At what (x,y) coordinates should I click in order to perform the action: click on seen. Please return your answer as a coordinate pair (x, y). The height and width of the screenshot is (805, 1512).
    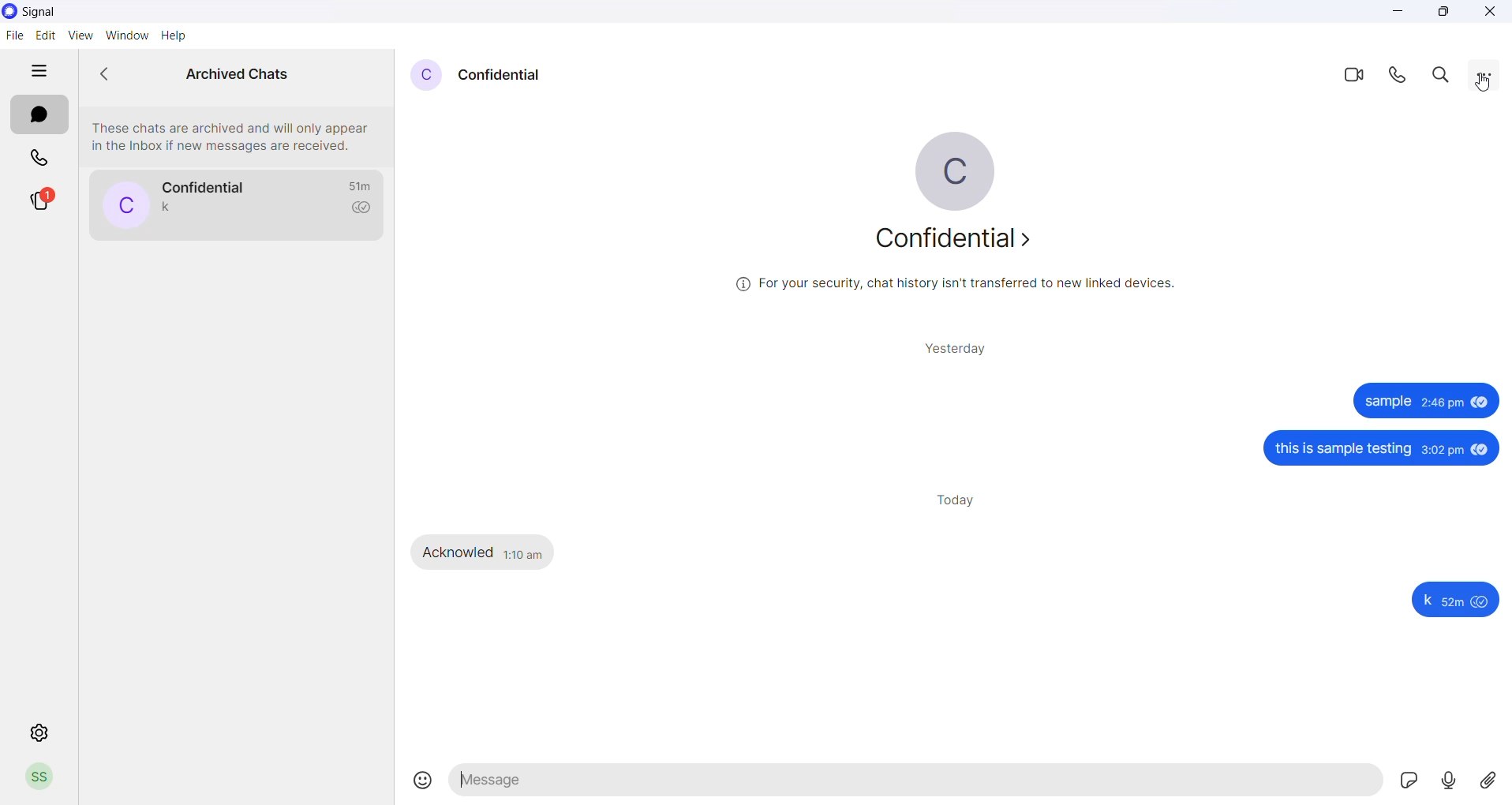
    Looking at the image, I should click on (1481, 448).